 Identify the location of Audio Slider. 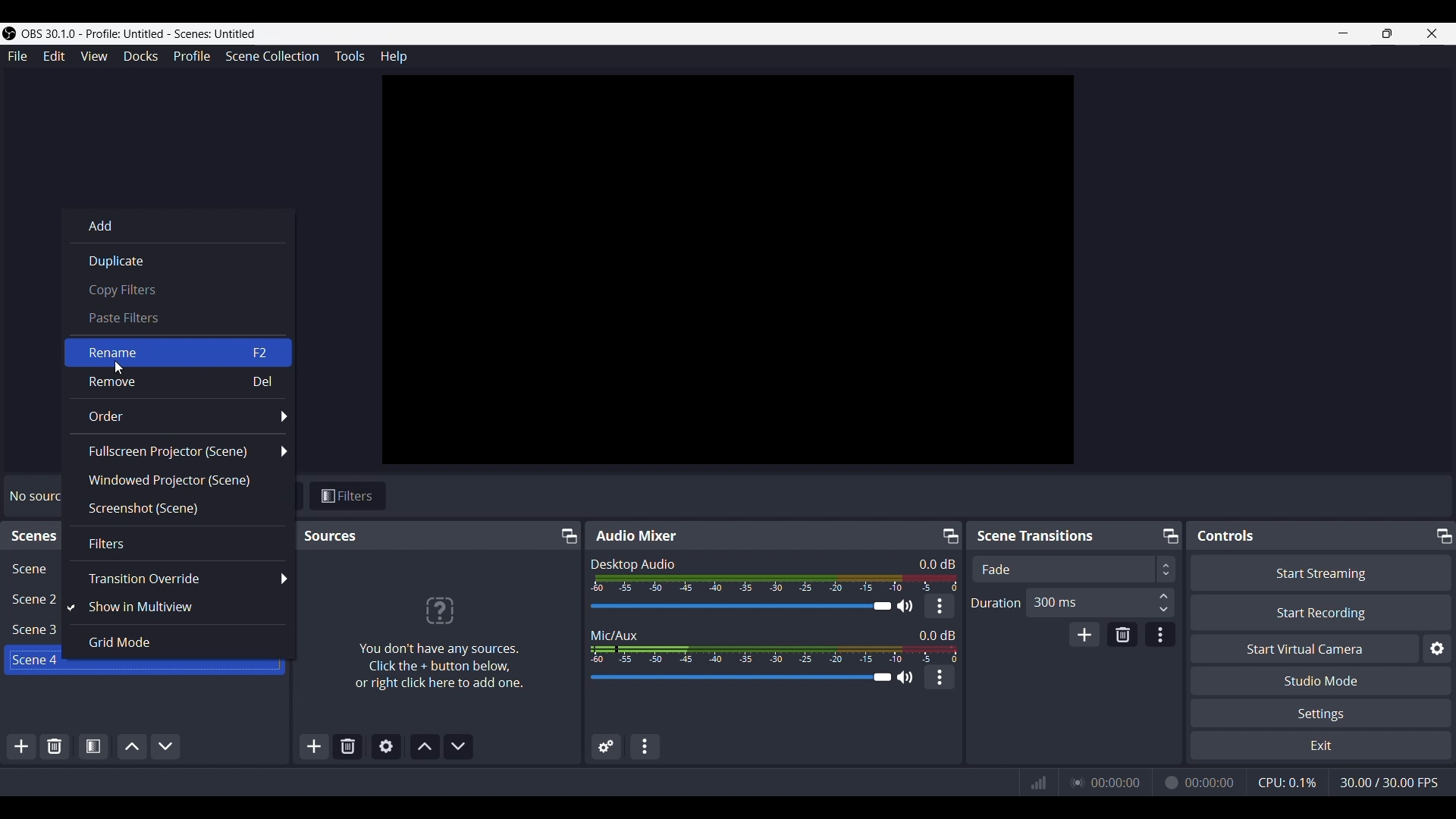
(739, 679).